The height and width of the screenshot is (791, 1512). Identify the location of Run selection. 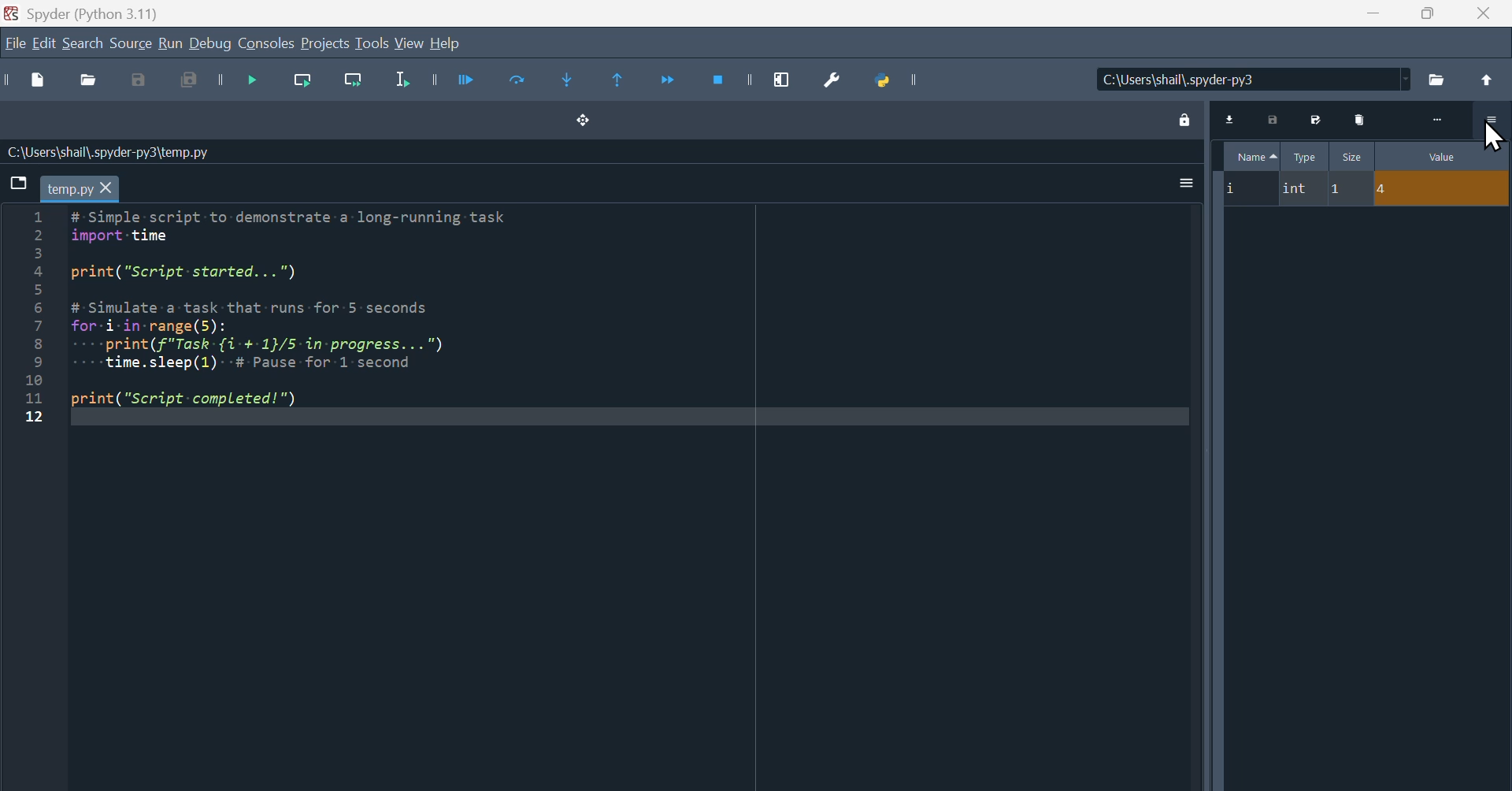
(402, 80).